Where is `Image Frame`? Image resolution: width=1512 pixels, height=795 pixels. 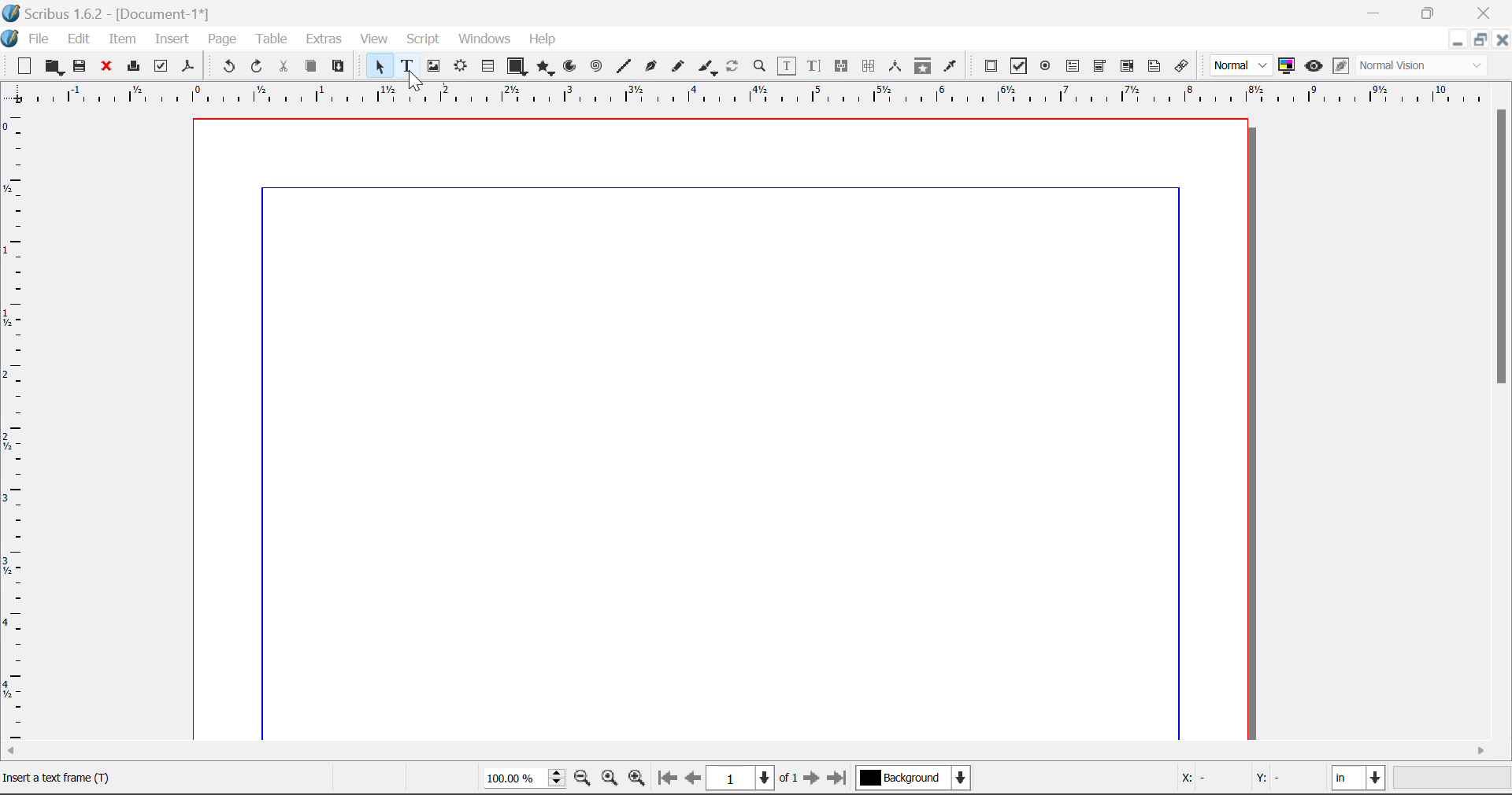
Image Frame is located at coordinates (433, 66).